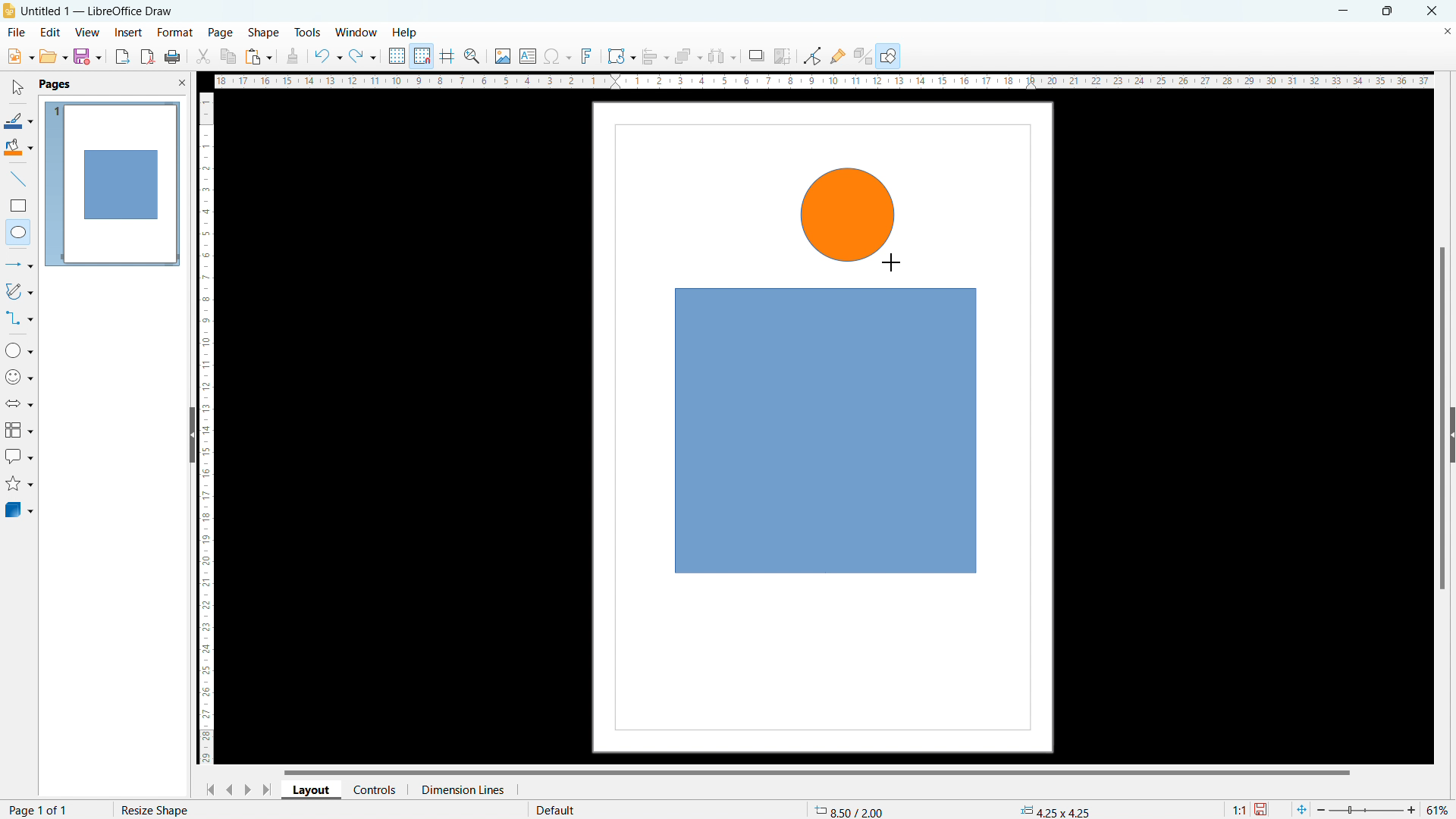 The image size is (1456, 819). I want to click on fill color, so click(19, 148).